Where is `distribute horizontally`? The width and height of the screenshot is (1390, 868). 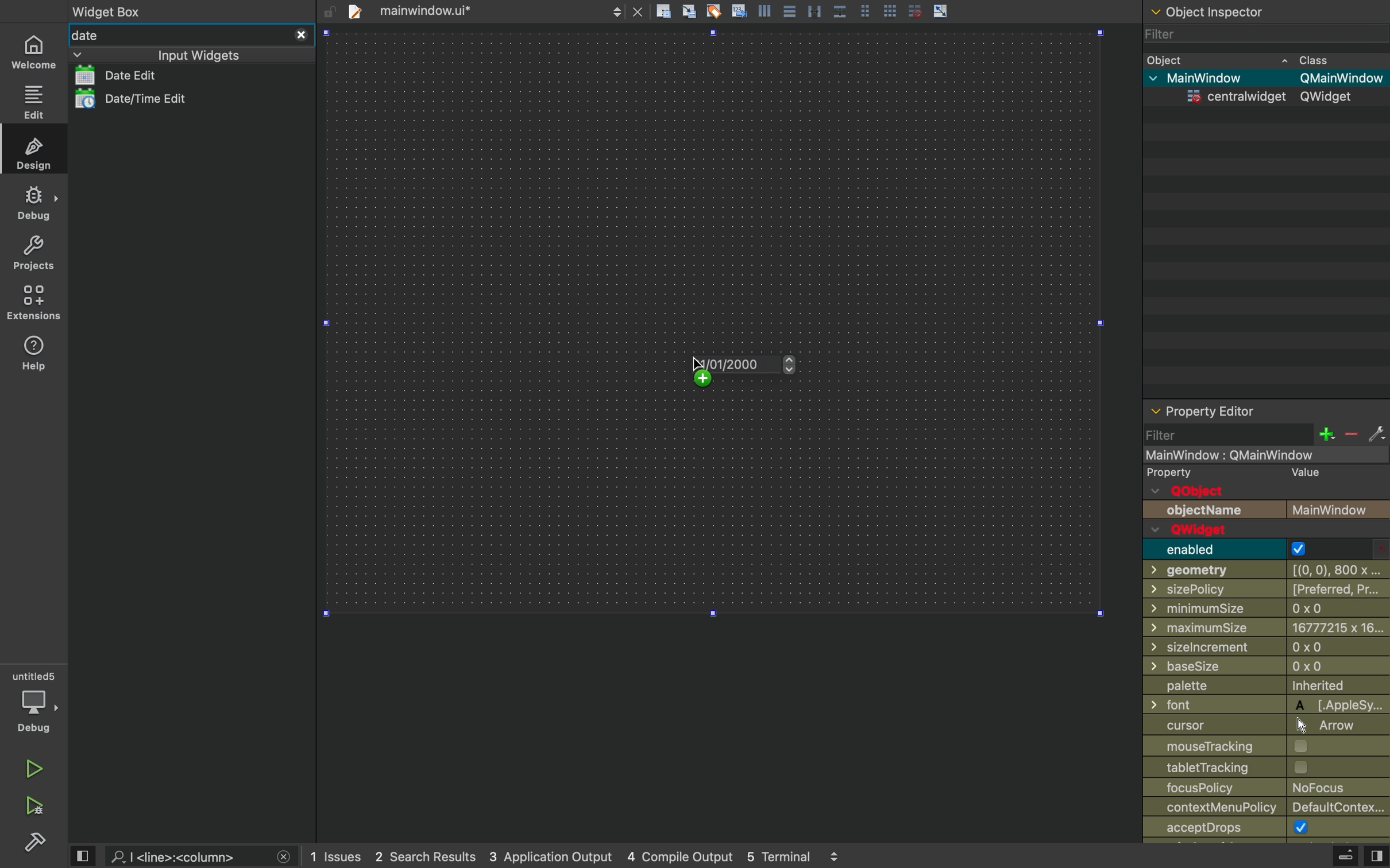 distribute horizontally is located at coordinates (814, 10).